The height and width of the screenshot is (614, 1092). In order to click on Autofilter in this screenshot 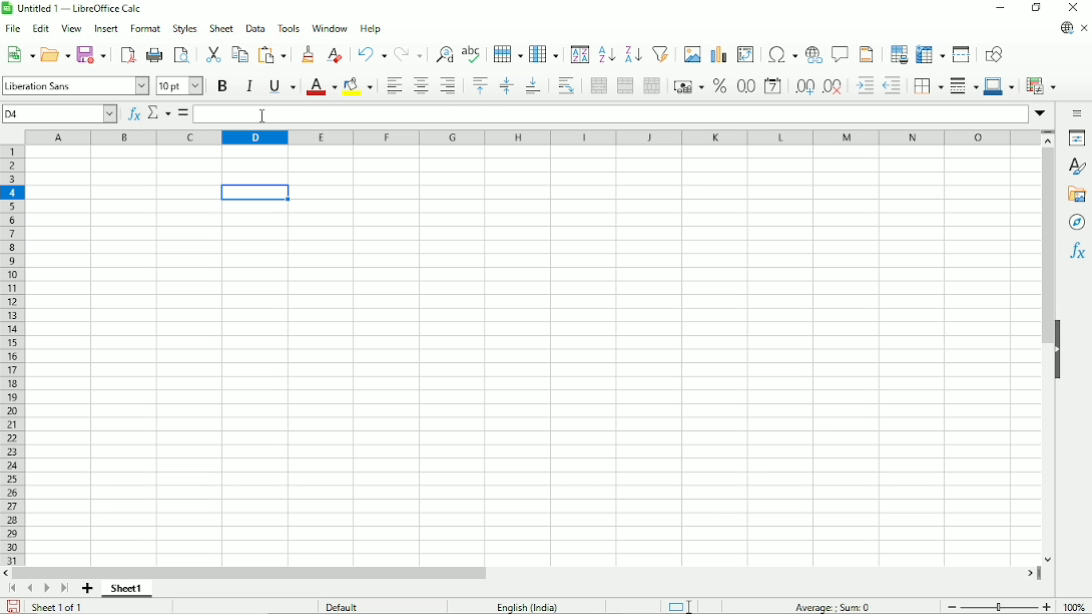, I will do `click(661, 53)`.